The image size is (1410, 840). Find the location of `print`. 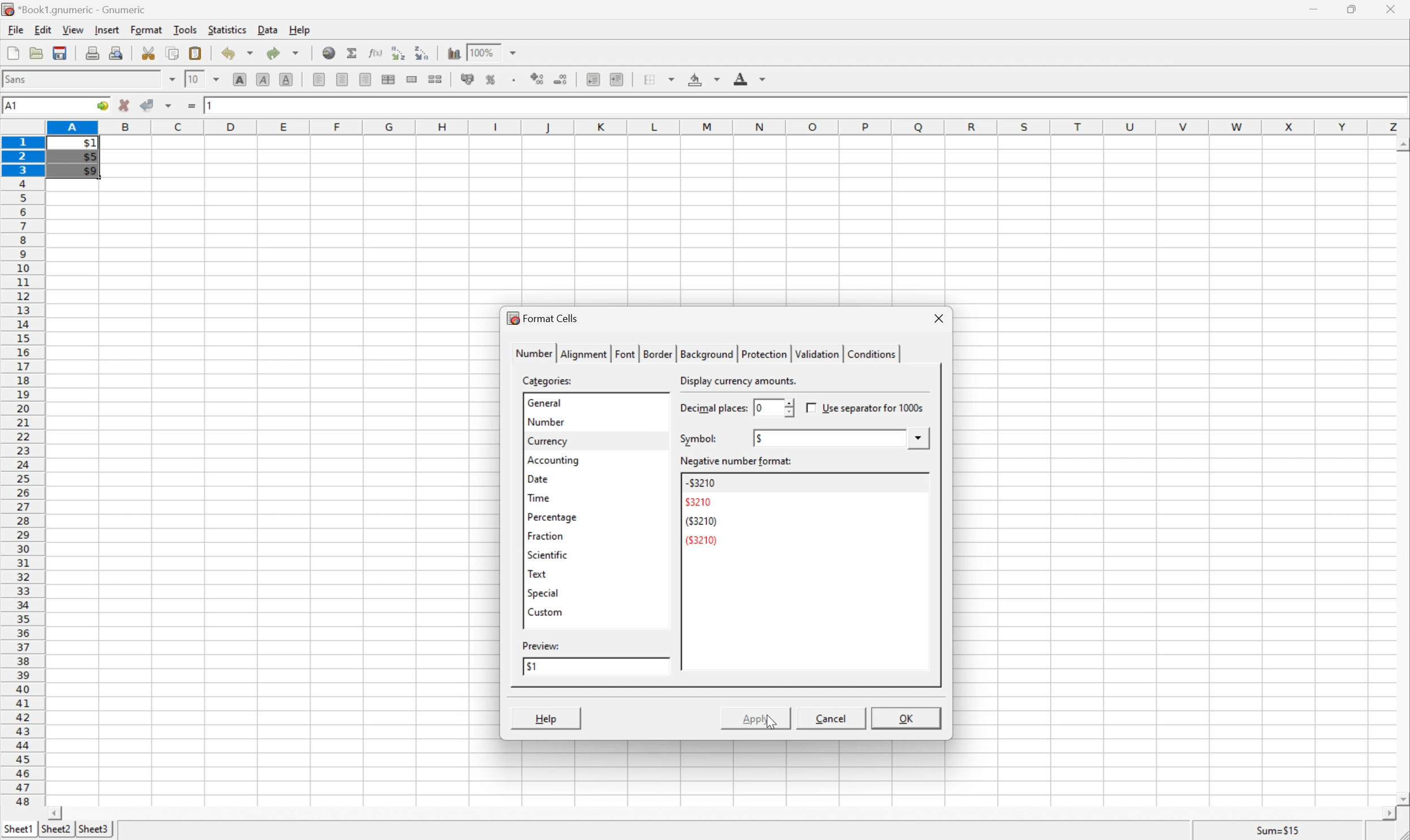

print is located at coordinates (91, 51).